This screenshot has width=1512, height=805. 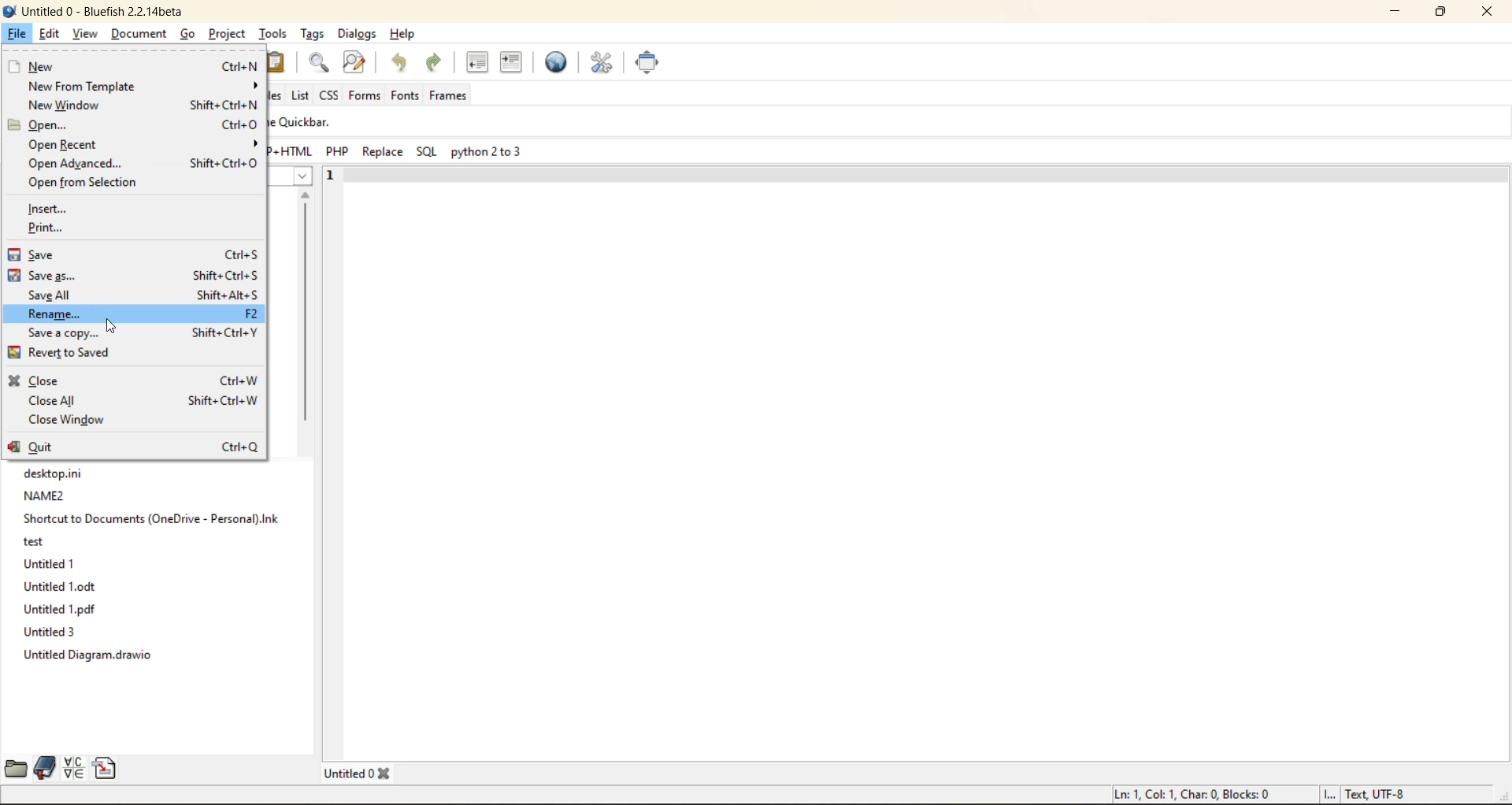 I want to click on save all, so click(x=72, y=295).